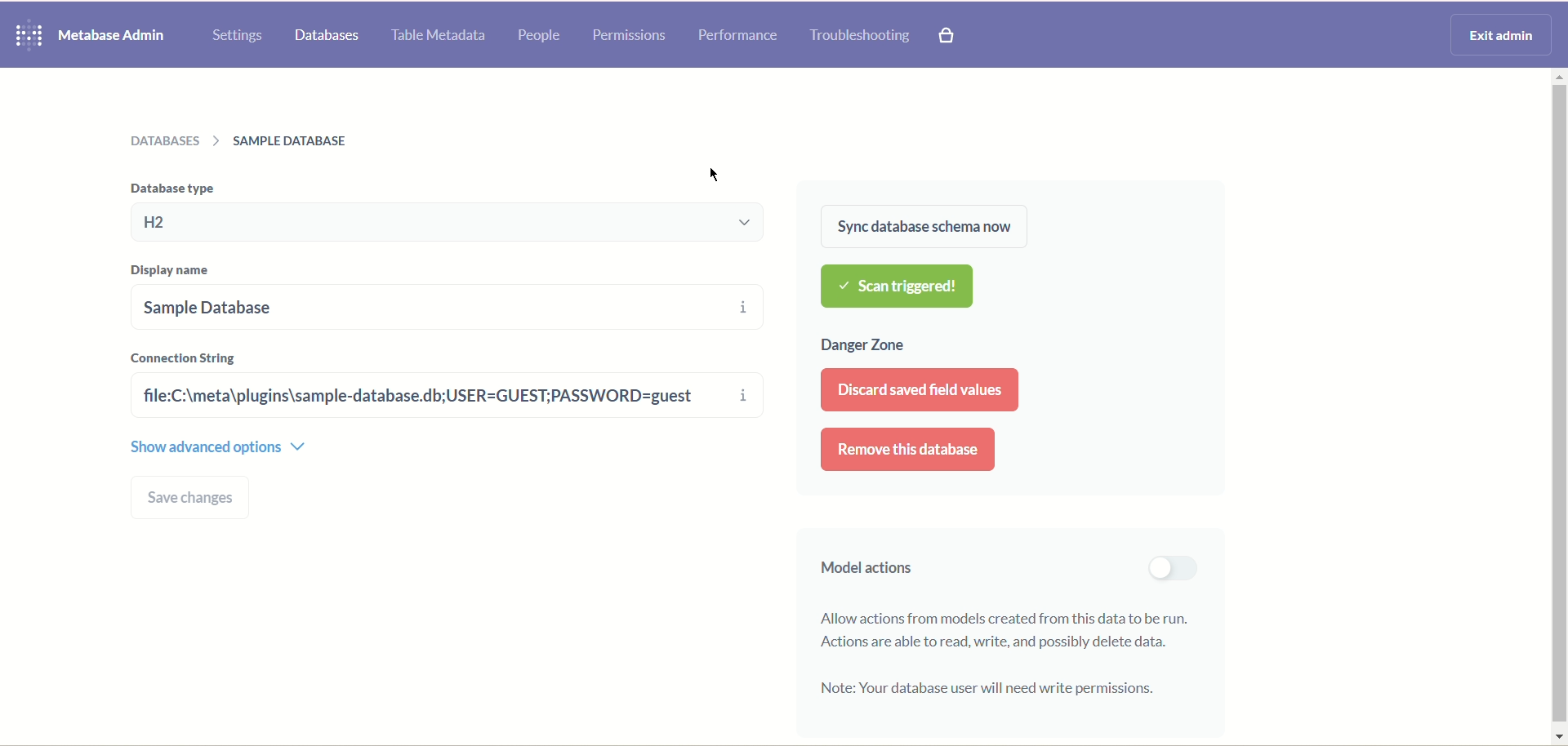 The width and height of the screenshot is (1568, 746). I want to click on people, so click(540, 37).